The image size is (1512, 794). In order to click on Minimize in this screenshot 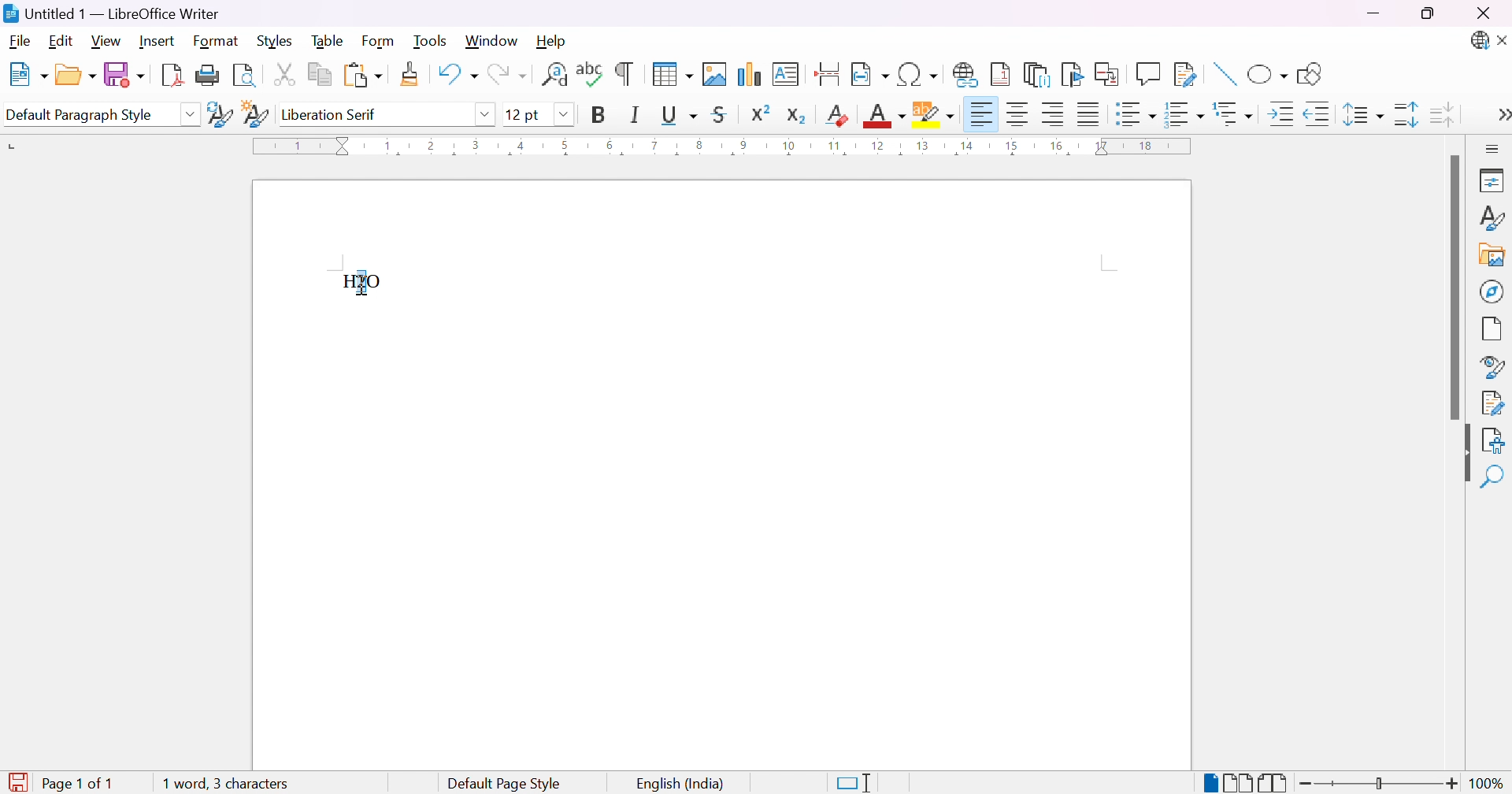, I will do `click(1376, 13)`.